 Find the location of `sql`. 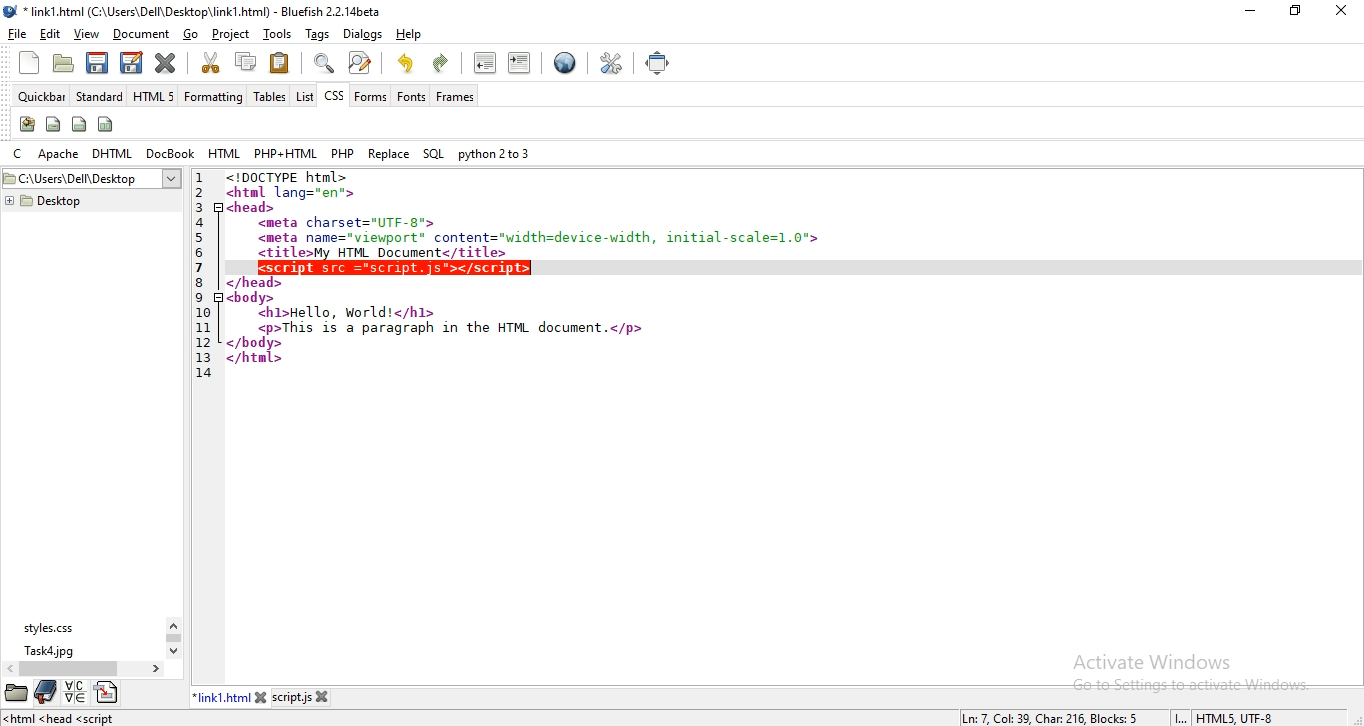

sql is located at coordinates (432, 154).